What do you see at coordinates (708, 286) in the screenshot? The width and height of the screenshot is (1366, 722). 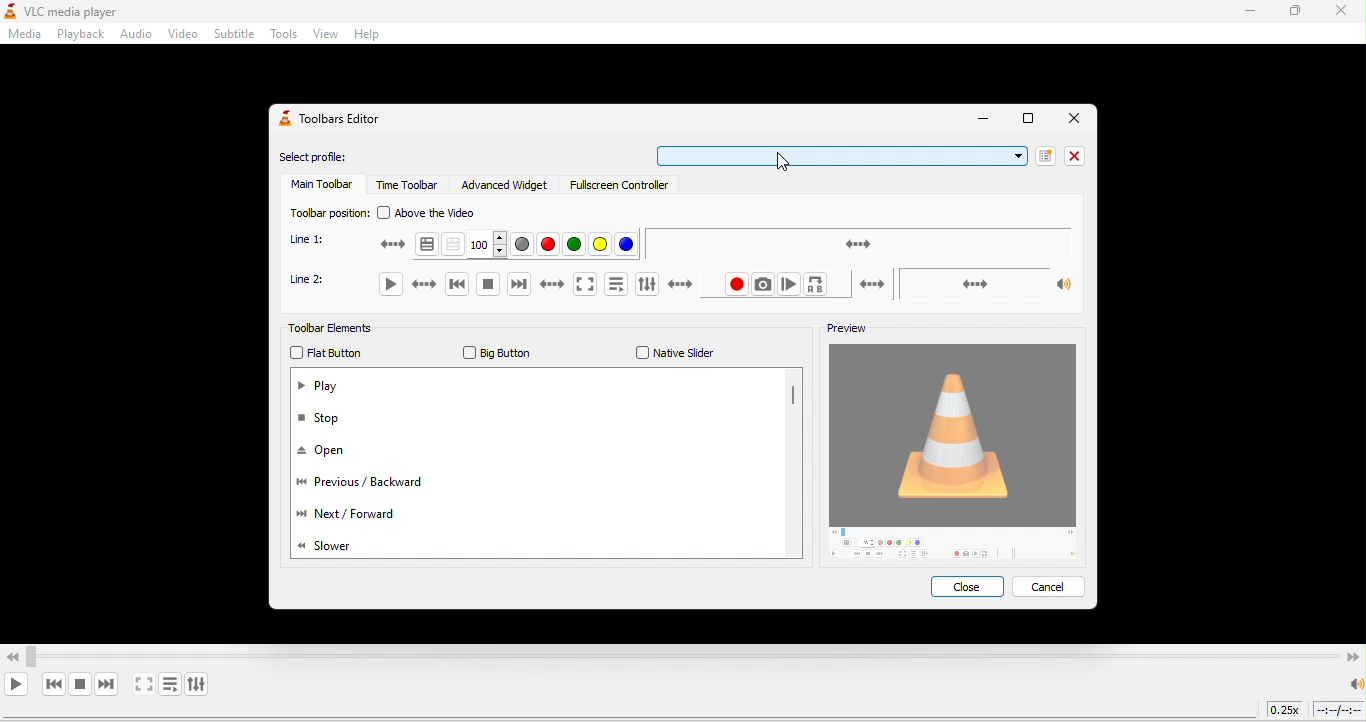 I see `record` at bounding box center [708, 286].